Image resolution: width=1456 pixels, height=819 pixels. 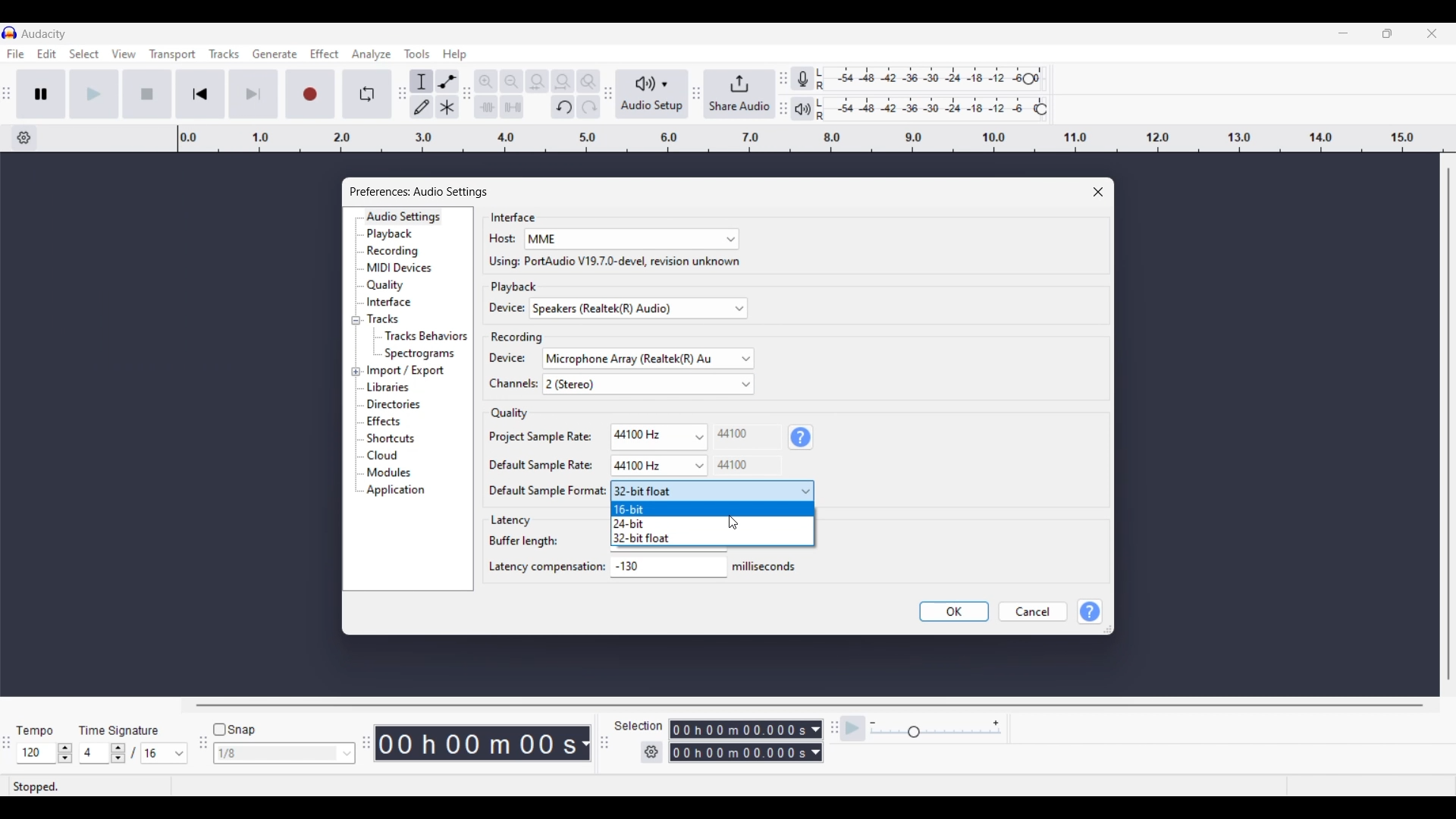 What do you see at coordinates (735, 465) in the screenshot?
I see `` at bounding box center [735, 465].